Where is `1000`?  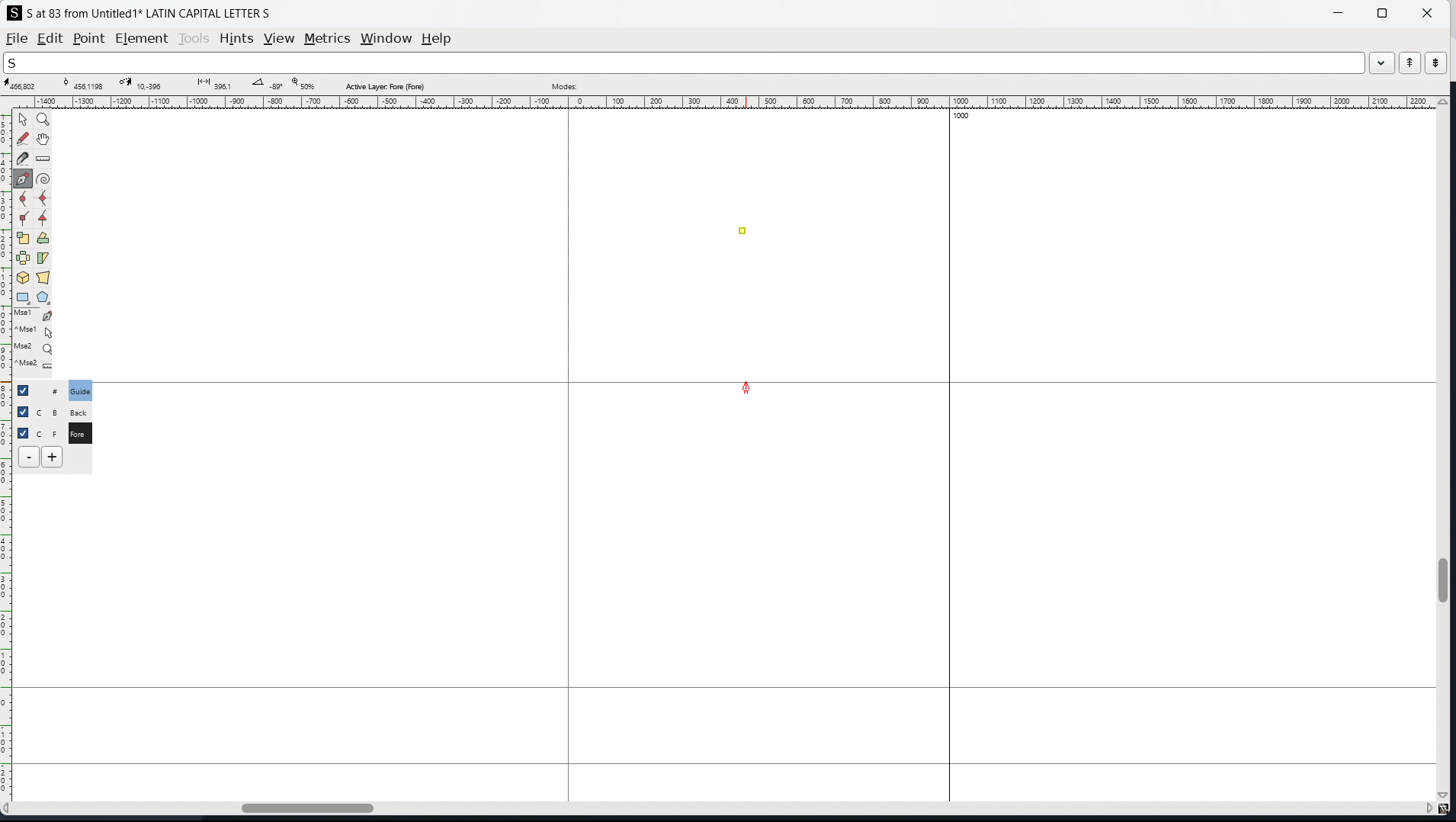
1000 is located at coordinates (966, 117).